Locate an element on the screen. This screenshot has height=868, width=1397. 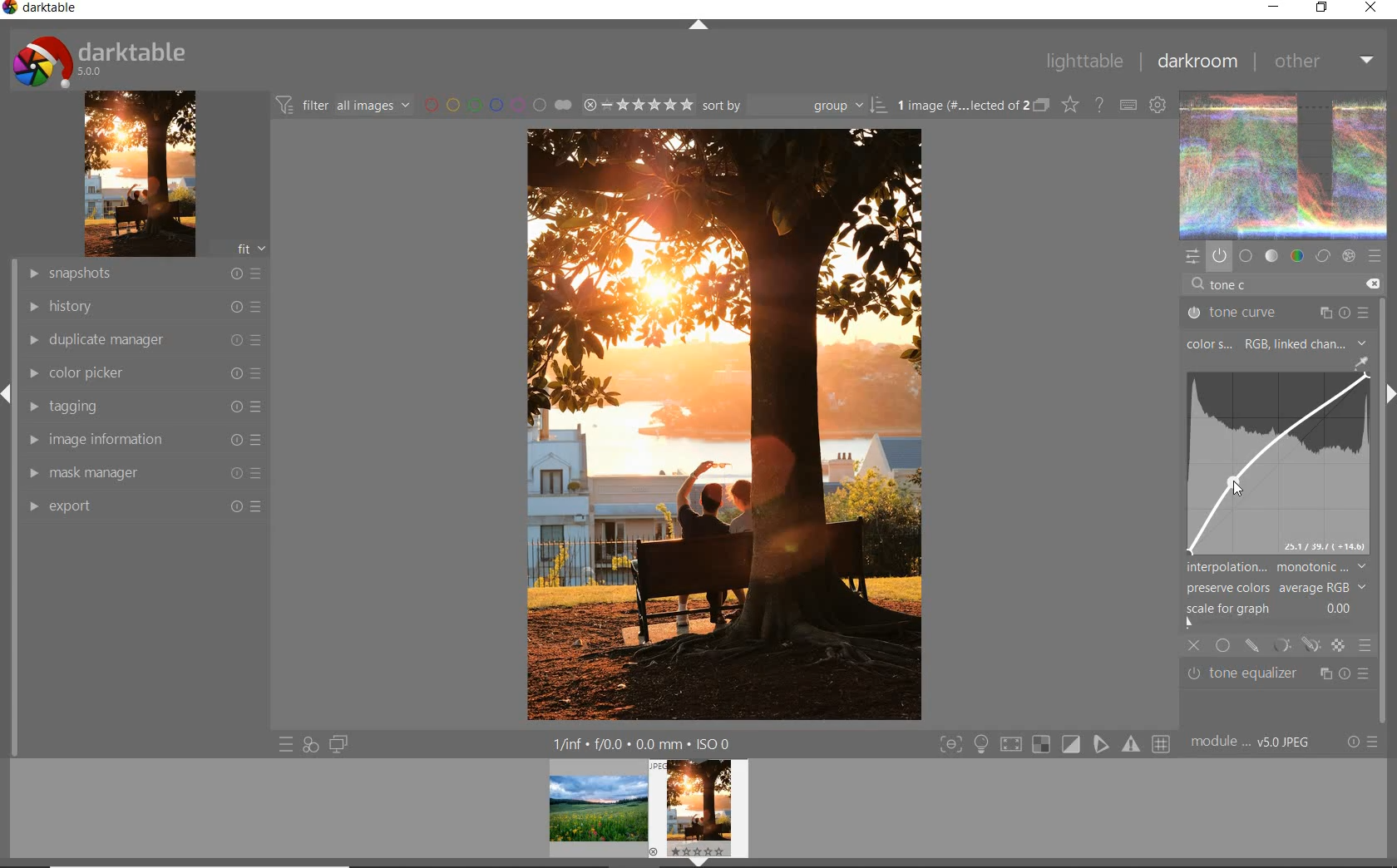
history is located at coordinates (140, 307).